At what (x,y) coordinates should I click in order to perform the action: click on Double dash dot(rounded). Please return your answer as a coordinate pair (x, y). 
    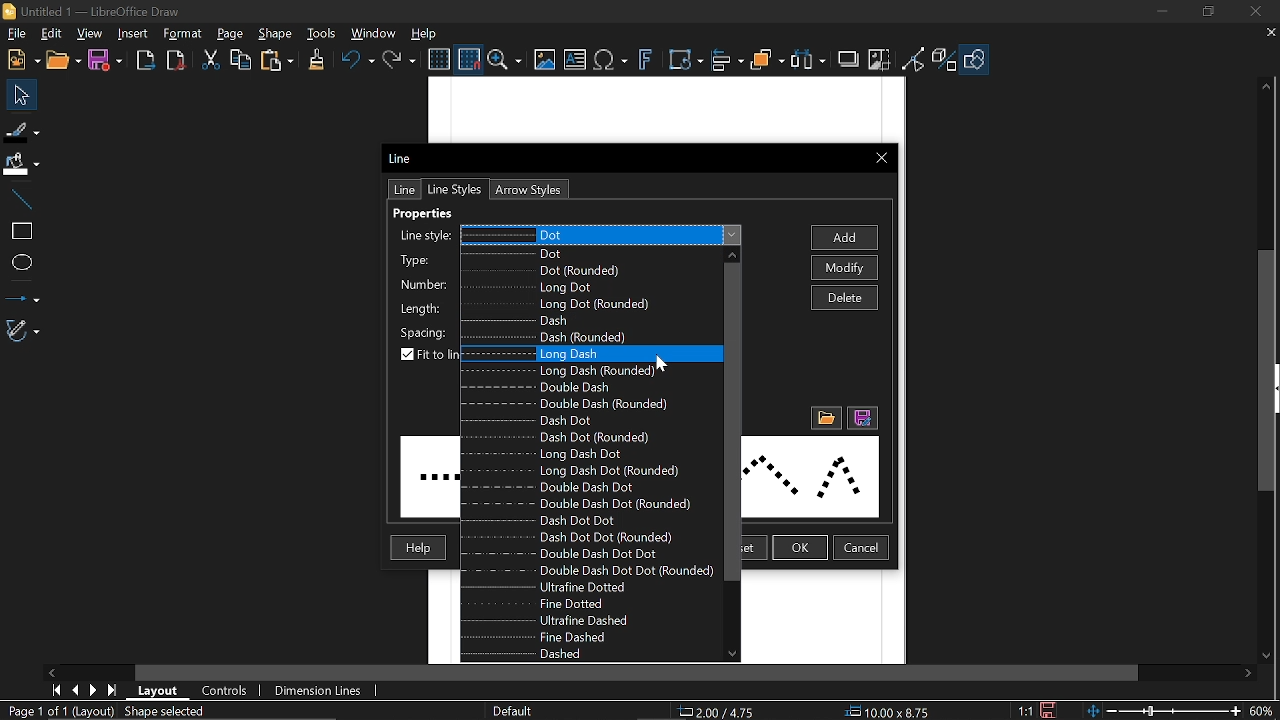
    Looking at the image, I should click on (590, 505).